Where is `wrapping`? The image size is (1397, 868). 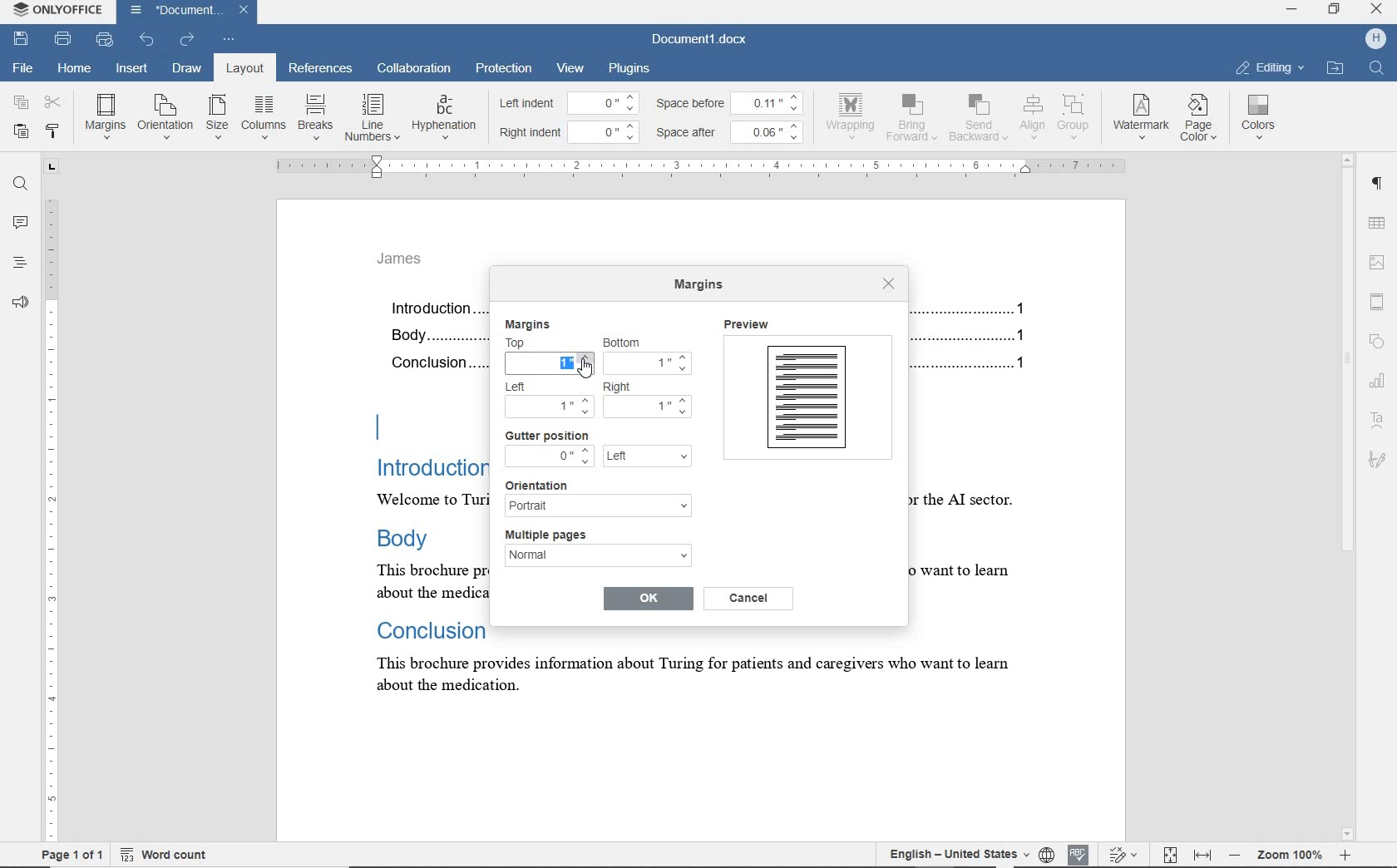 wrapping is located at coordinates (853, 116).